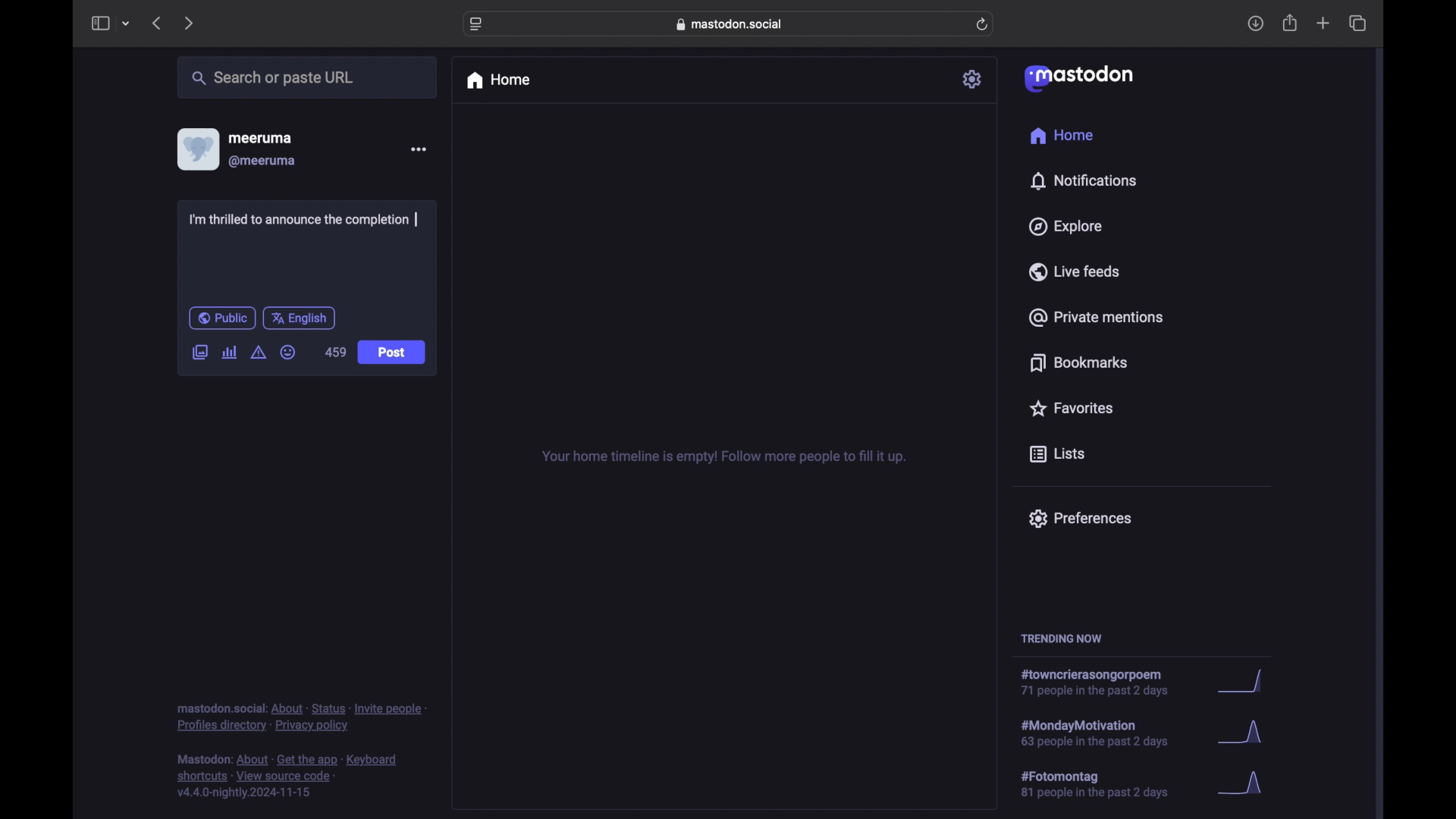 The height and width of the screenshot is (819, 1456). Describe the element at coordinates (99, 23) in the screenshot. I see `side bar` at that location.